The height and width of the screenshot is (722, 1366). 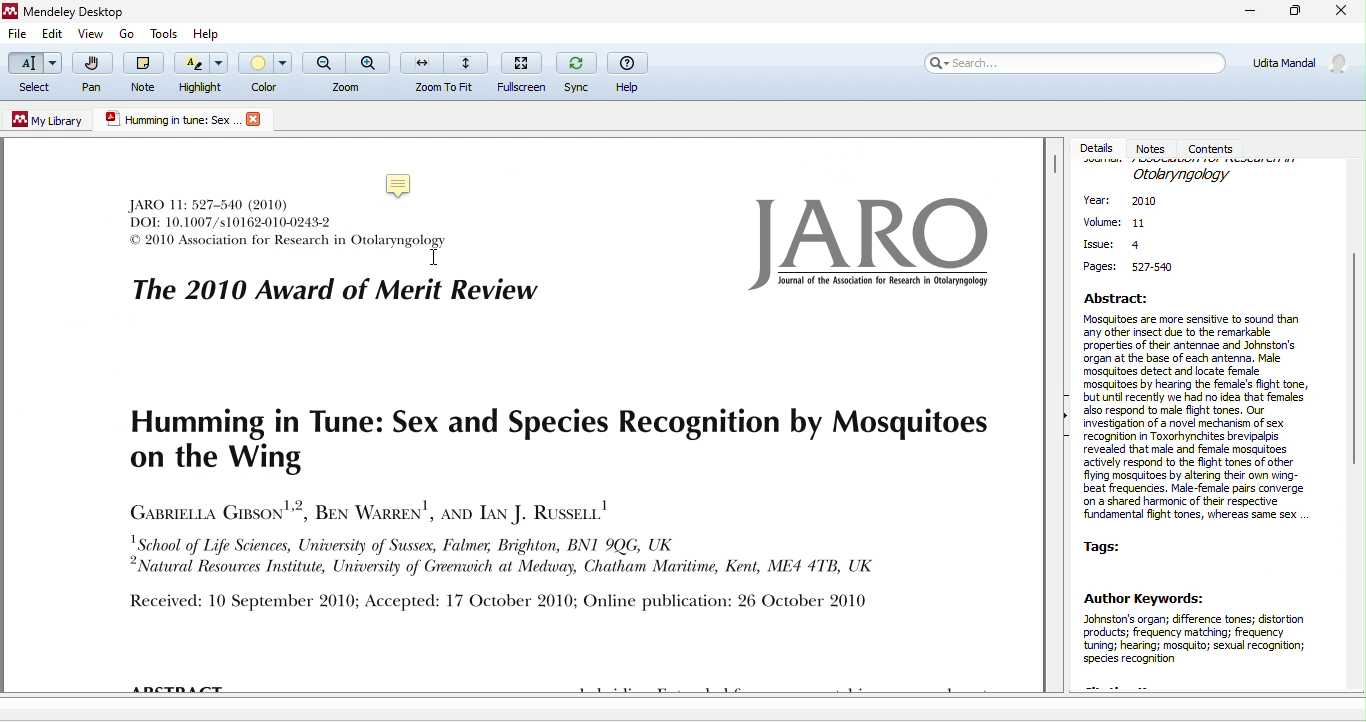 What do you see at coordinates (1133, 268) in the screenshot?
I see `page: 527-540` at bounding box center [1133, 268].